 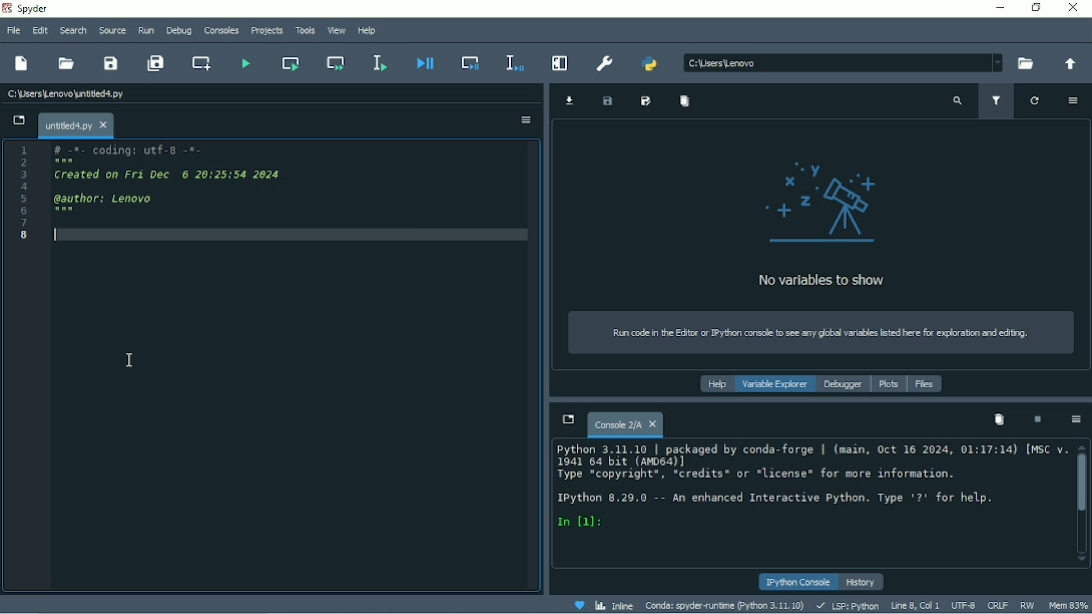 I want to click on Browse tabs, so click(x=568, y=422).